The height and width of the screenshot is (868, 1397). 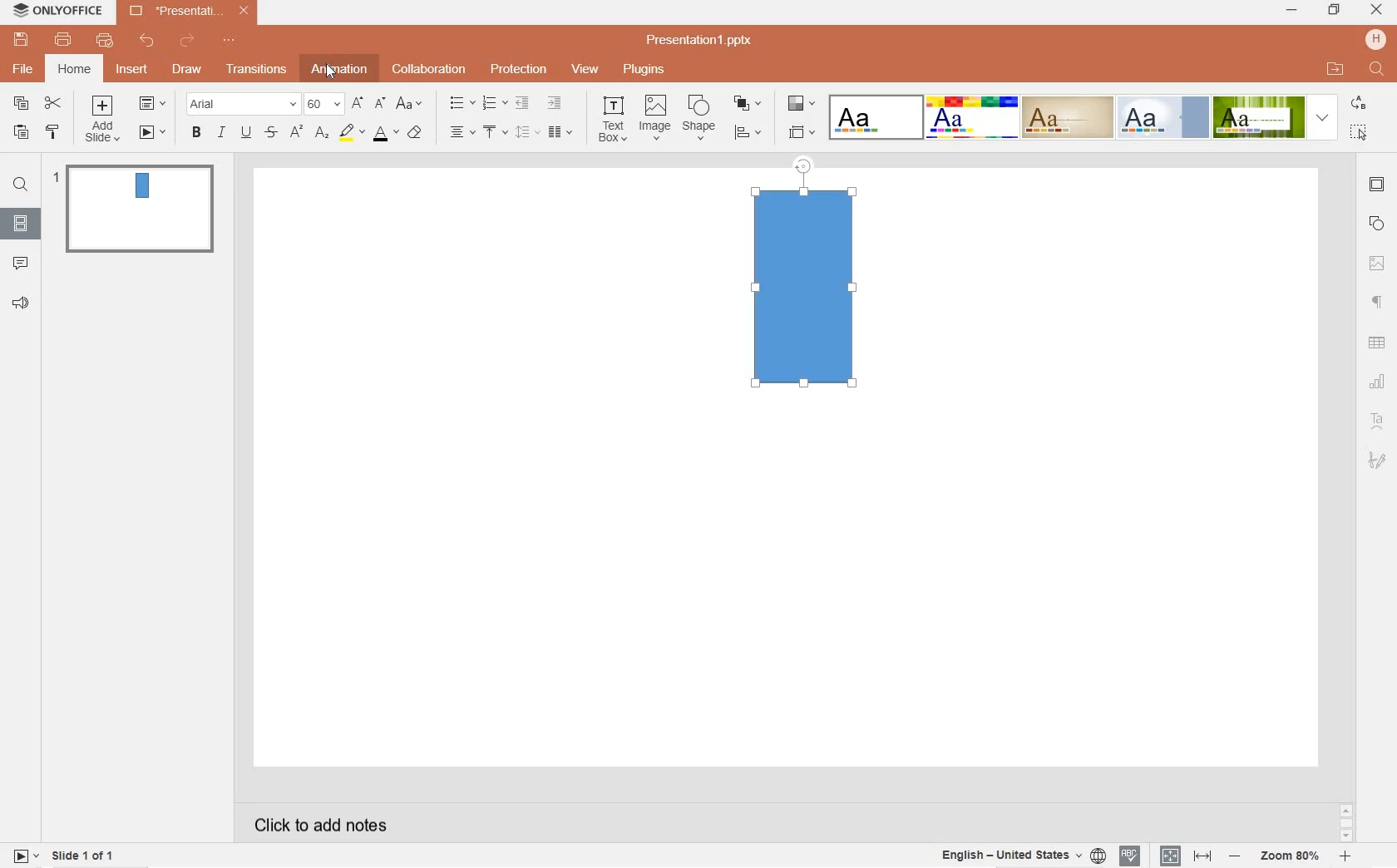 I want to click on Official, so click(x=1163, y=117).